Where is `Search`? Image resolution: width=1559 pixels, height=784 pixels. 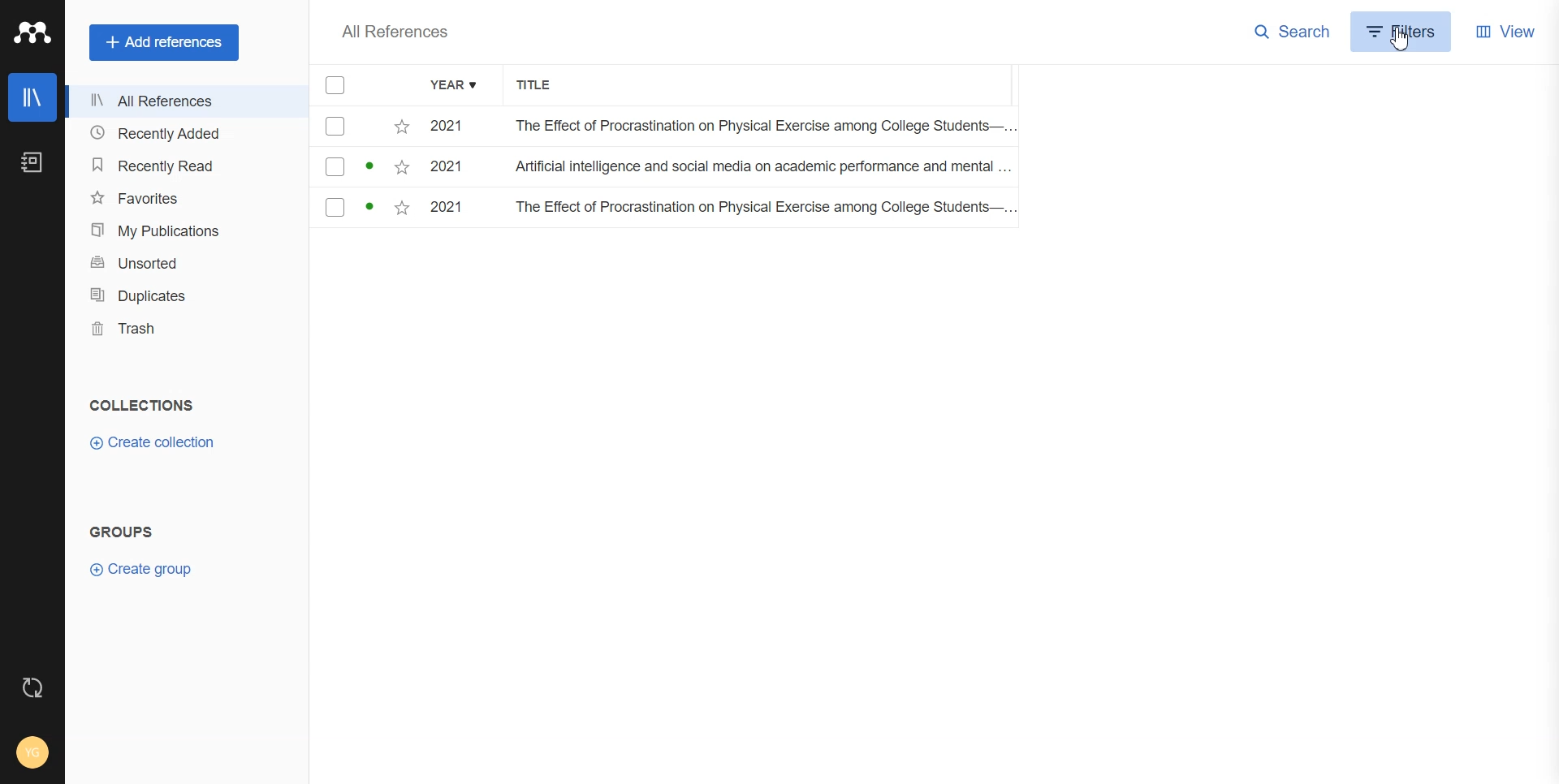 Search is located at coordinates (1293, 32).